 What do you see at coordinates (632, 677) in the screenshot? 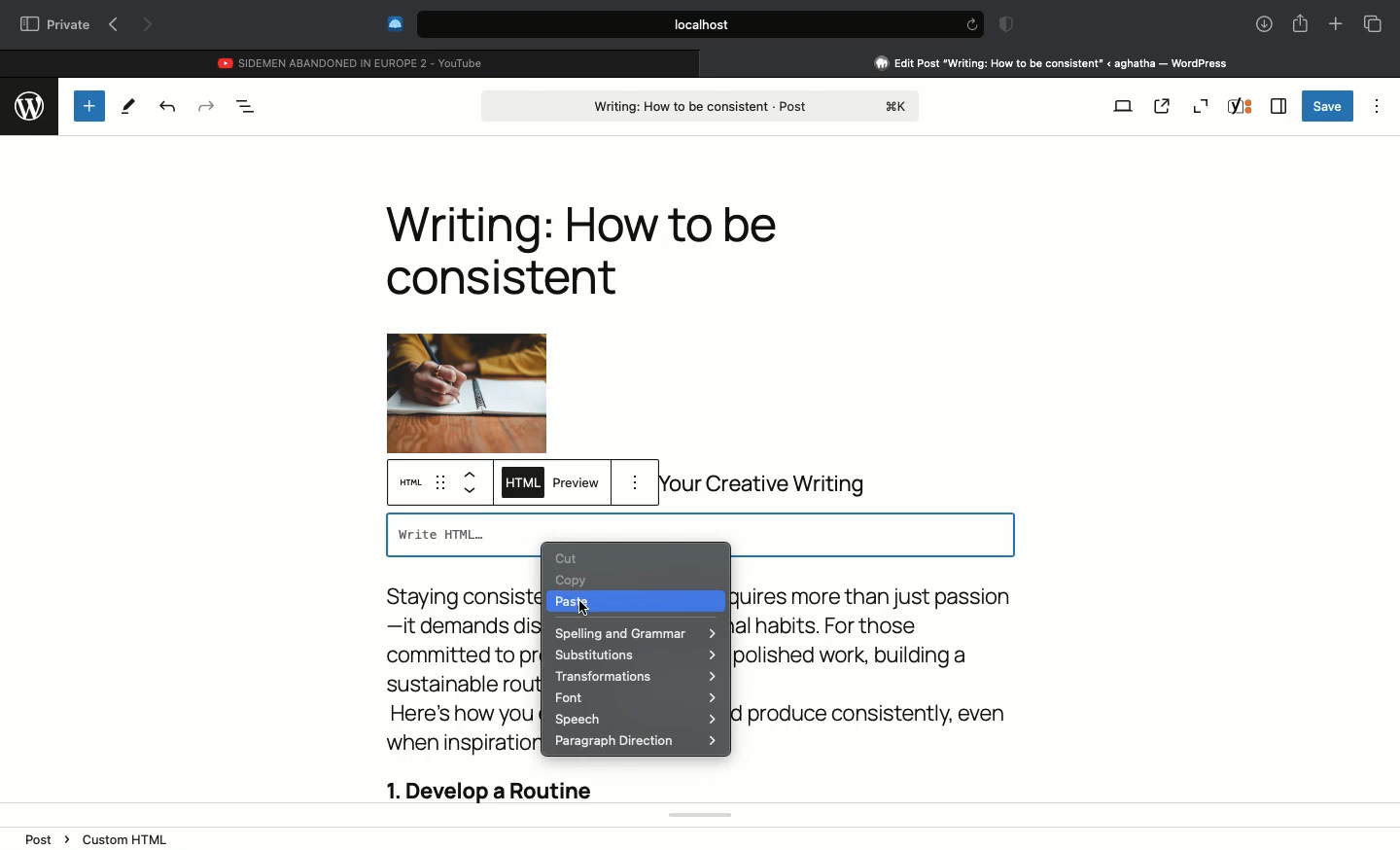
I see `Transformations` at bounding box center [632, 677].